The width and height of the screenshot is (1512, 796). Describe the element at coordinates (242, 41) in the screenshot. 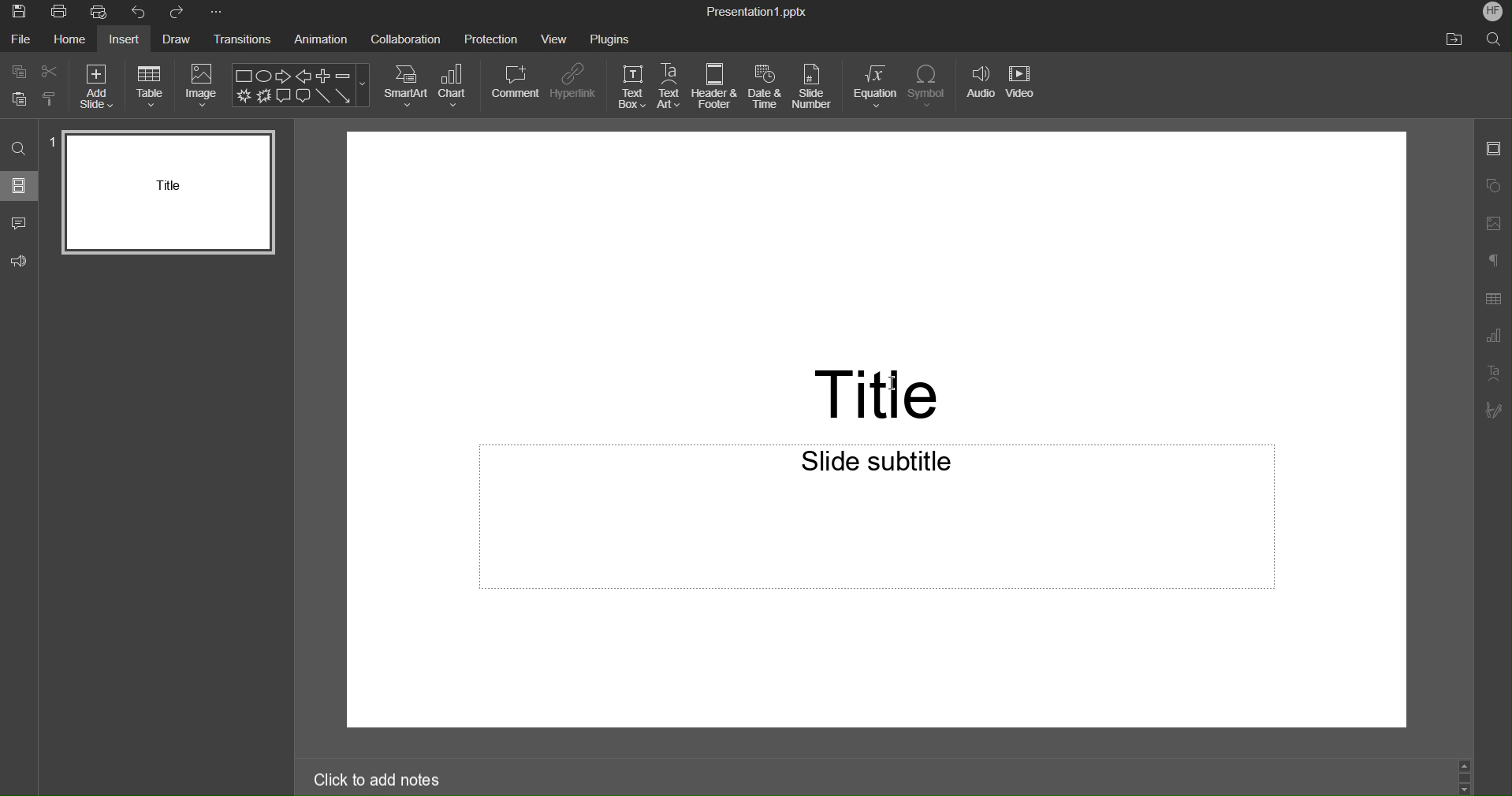

I see `Transitions` at that location.